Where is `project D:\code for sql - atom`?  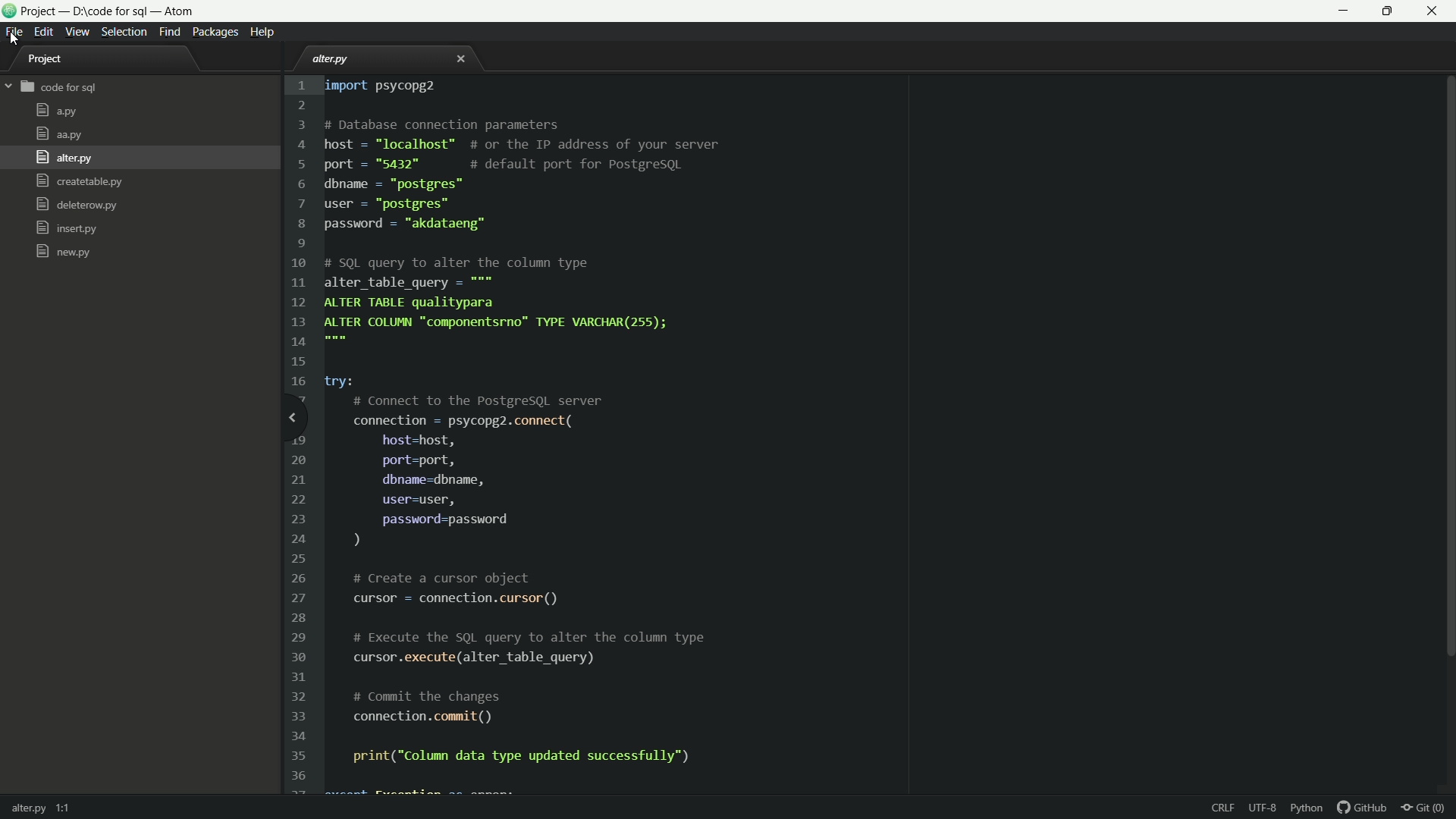 project D:\code for sql - atom is located at coordinates (112, 12).